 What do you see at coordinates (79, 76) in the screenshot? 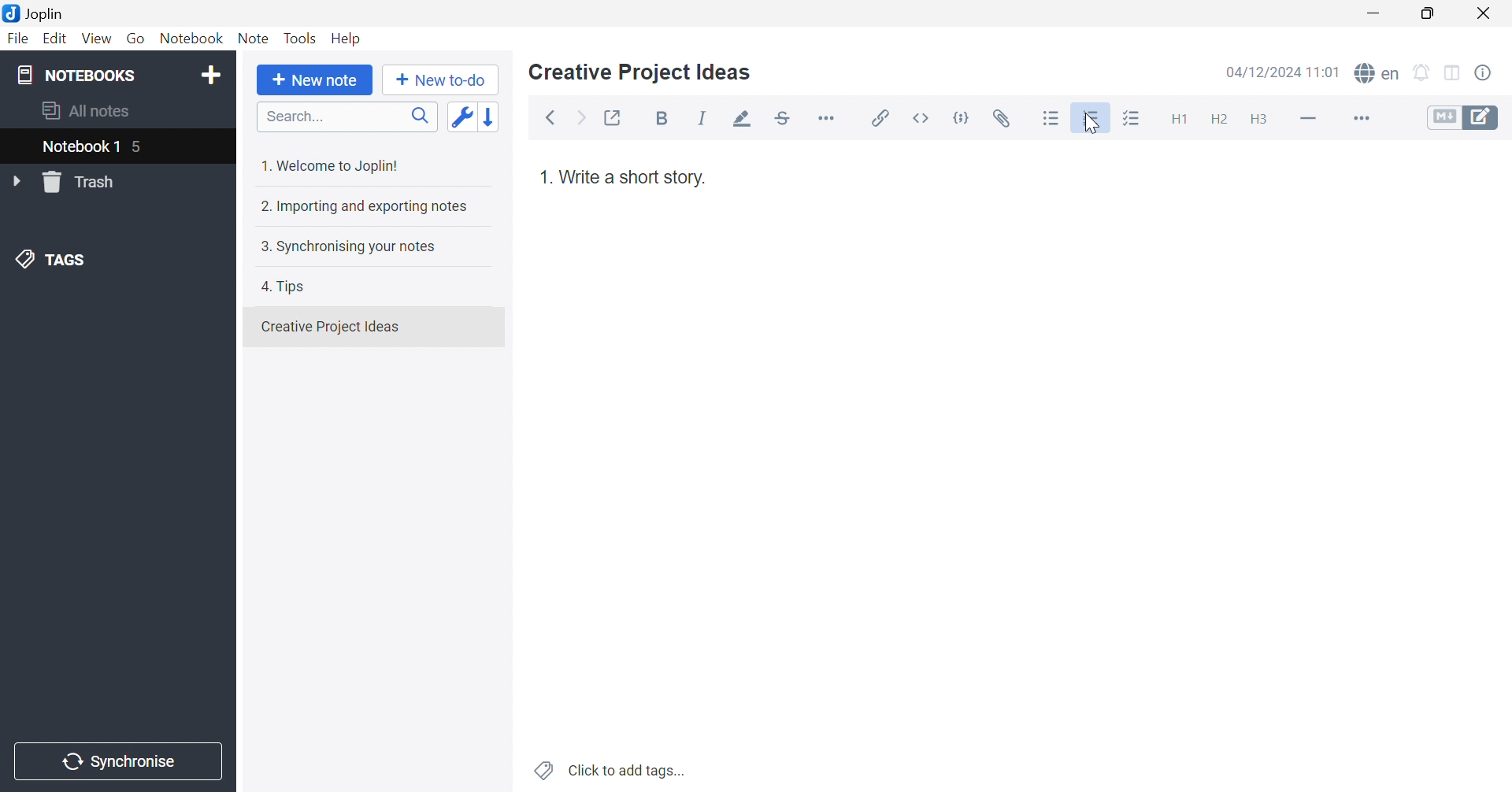
I see `NOTEBOOKS` at bounding box center [79, 76].